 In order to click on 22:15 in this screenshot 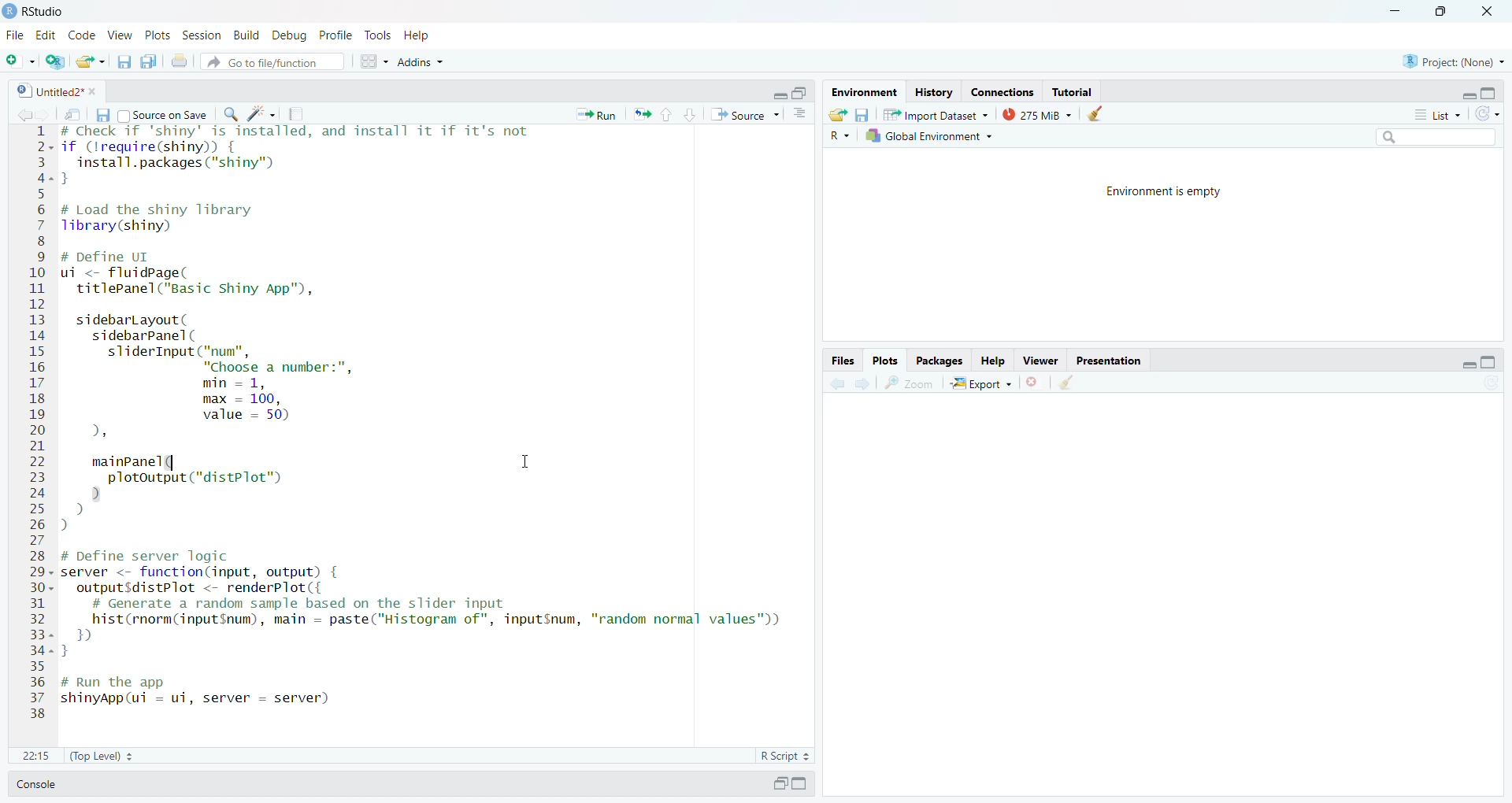, I will do `click(36, 756)`.